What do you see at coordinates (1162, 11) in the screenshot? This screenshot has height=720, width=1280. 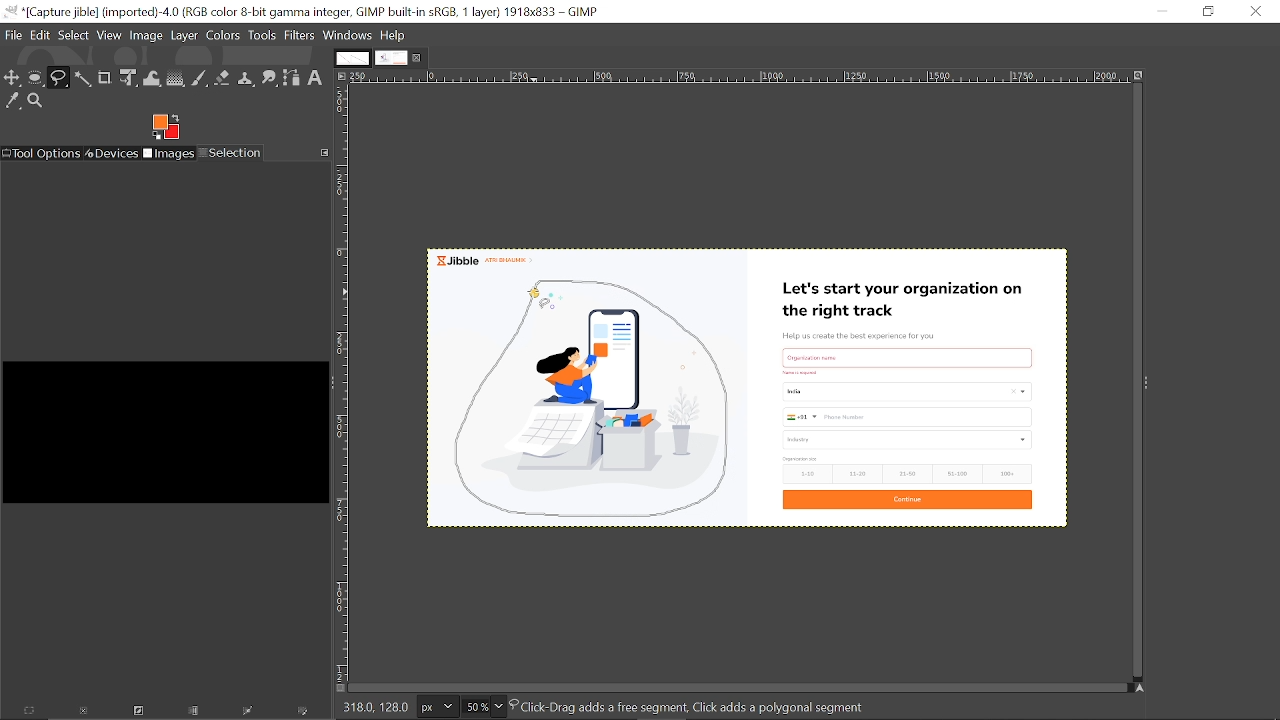 I see `Minimize` at bounding box center [1162, 11].